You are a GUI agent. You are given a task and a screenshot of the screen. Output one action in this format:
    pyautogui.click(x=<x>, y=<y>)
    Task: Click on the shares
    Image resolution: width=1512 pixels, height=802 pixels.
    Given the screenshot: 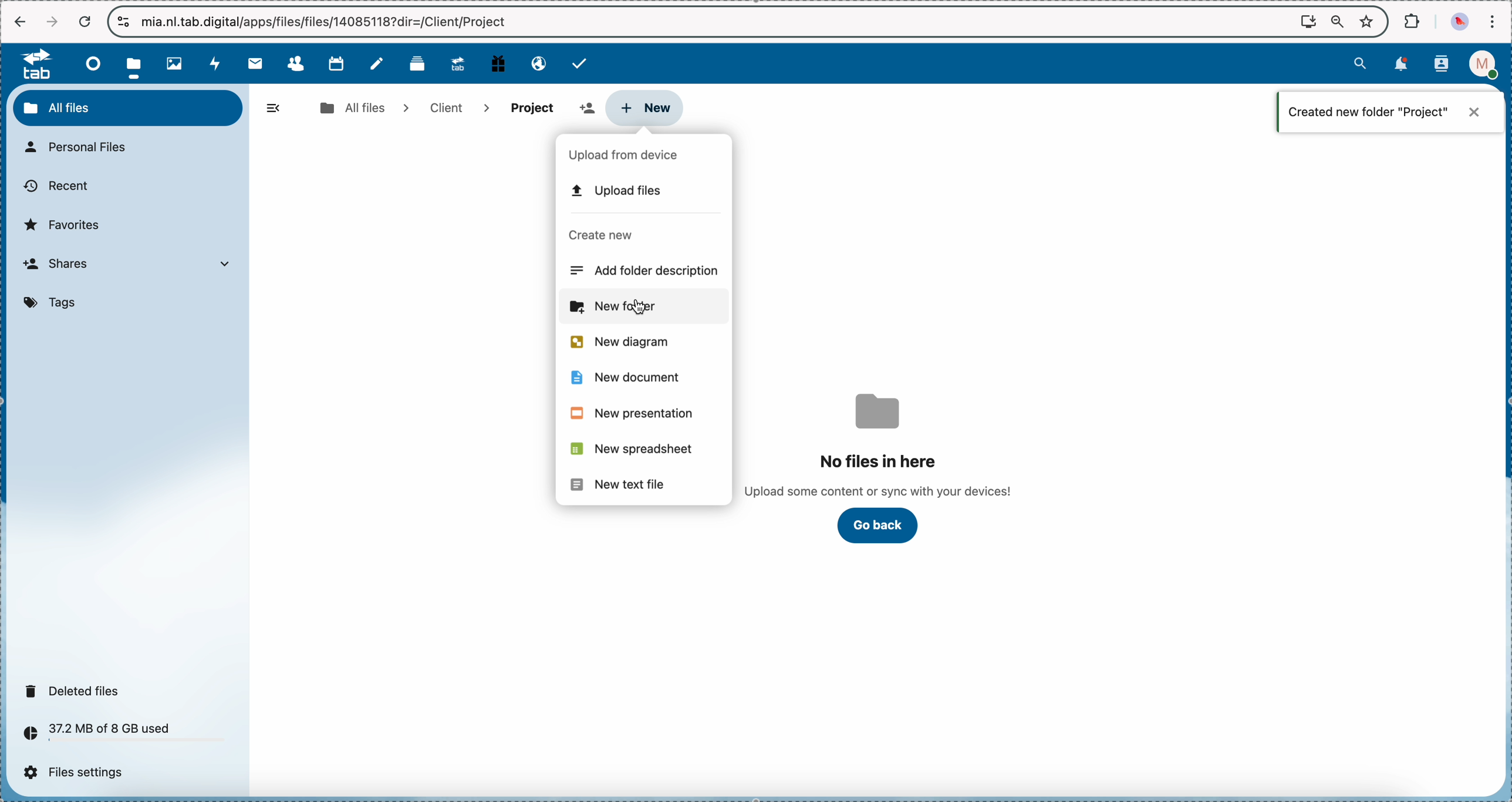 What is the action you would take?
    pyautogui.click(x=132, y=265)
    